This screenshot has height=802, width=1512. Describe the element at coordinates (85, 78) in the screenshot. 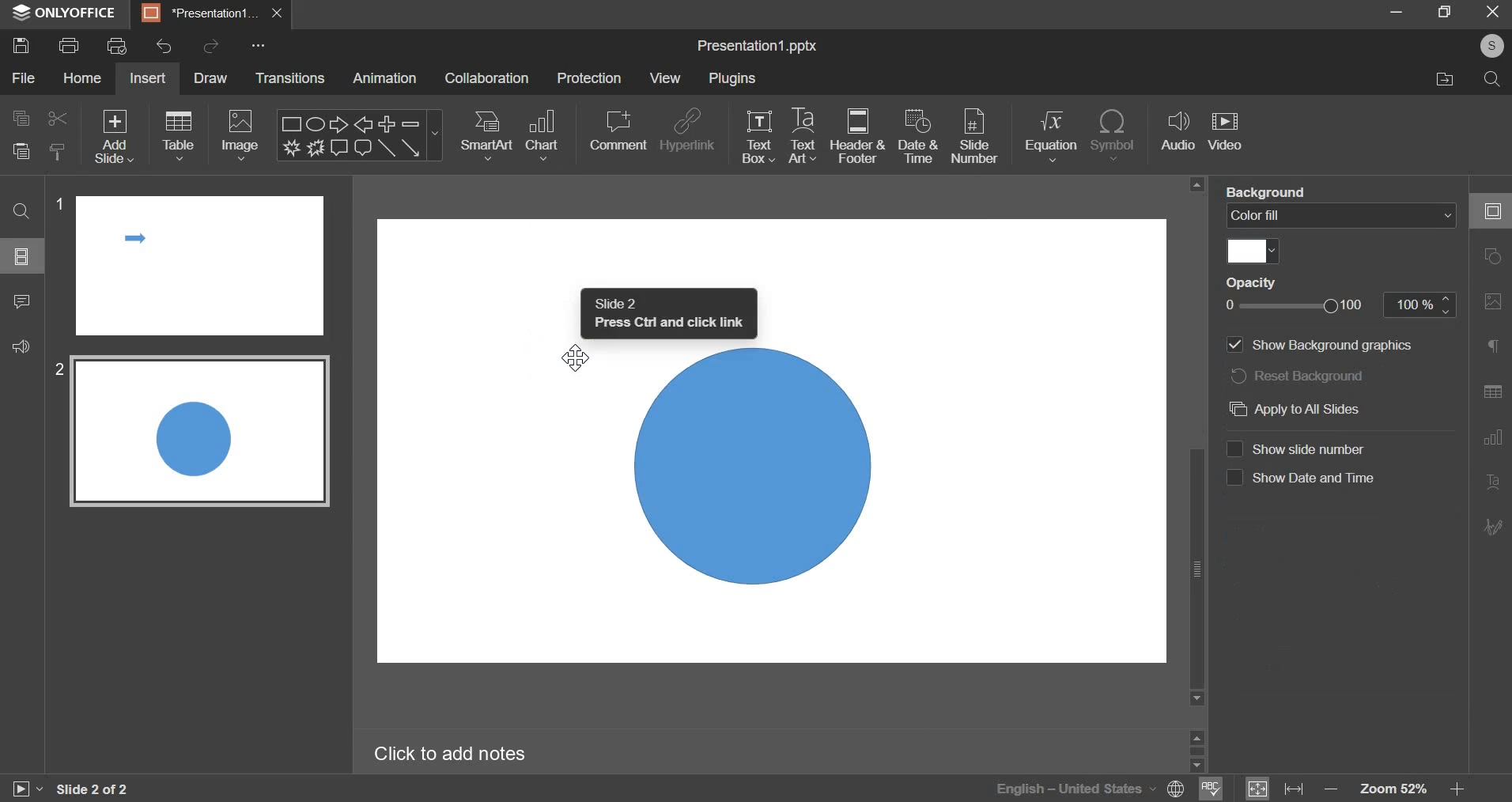

I see `home` at that location.